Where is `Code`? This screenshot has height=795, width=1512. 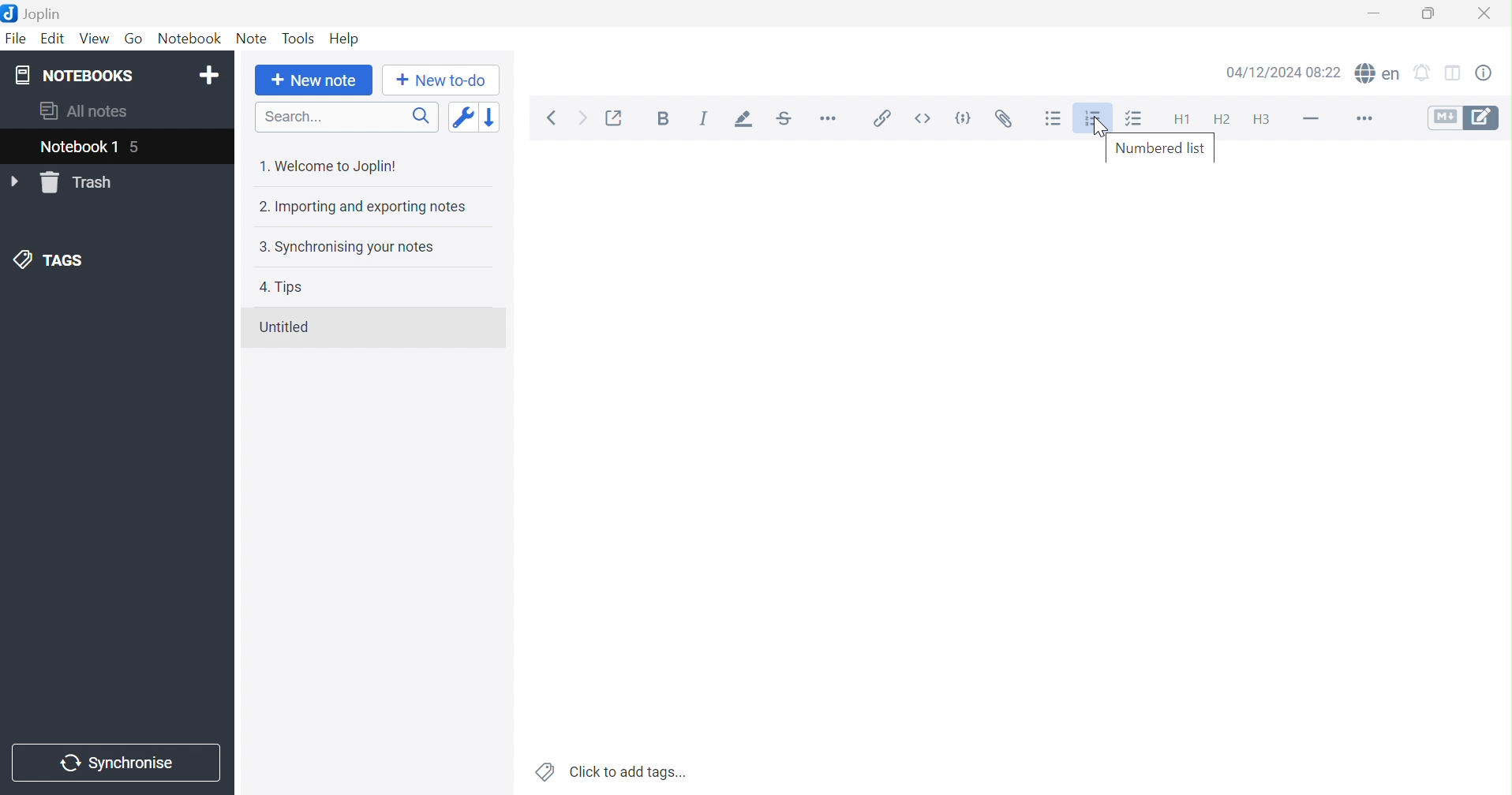 Code is located at coordinates (964, 119).